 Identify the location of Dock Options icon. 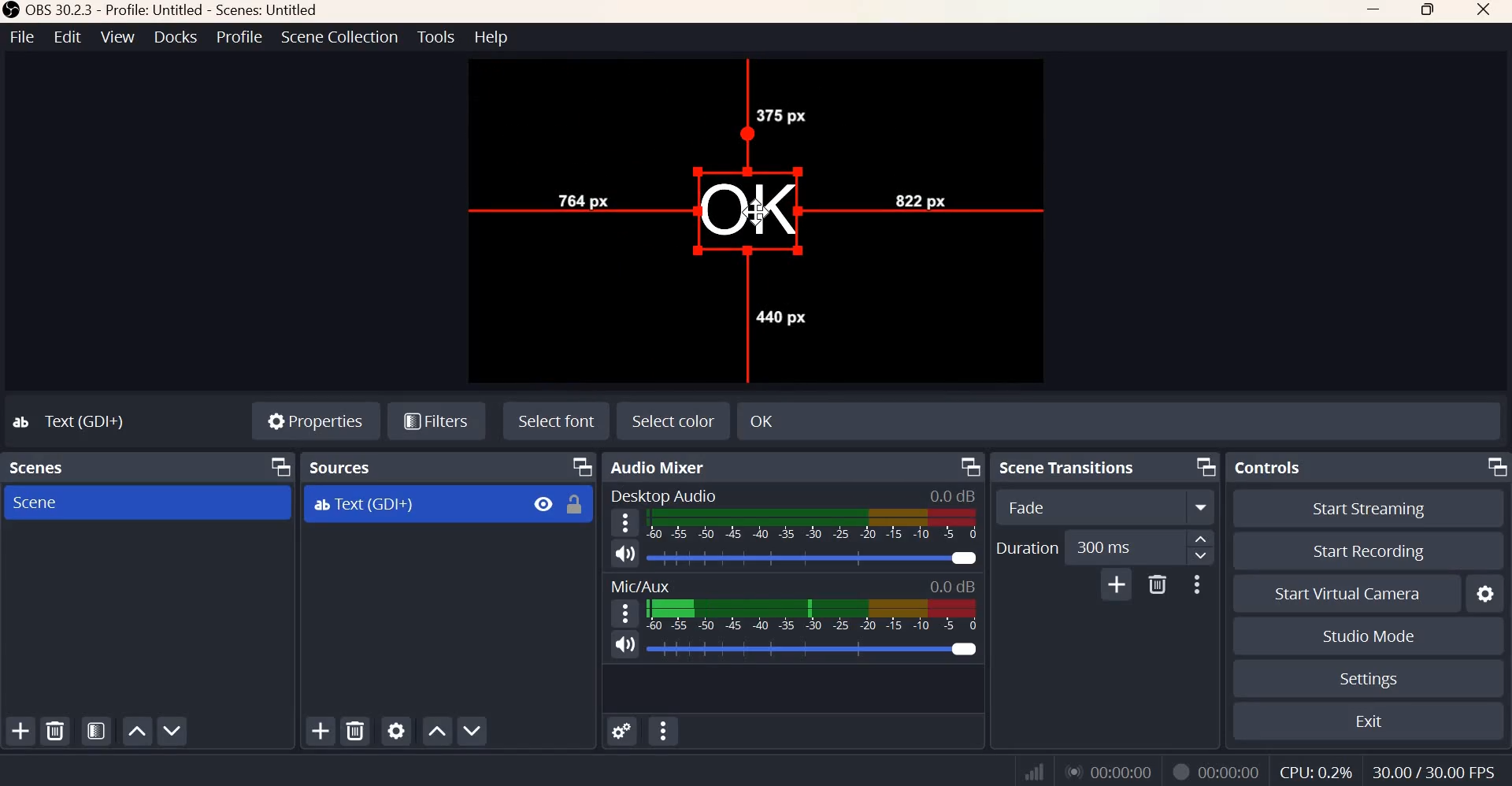
(277, 466).